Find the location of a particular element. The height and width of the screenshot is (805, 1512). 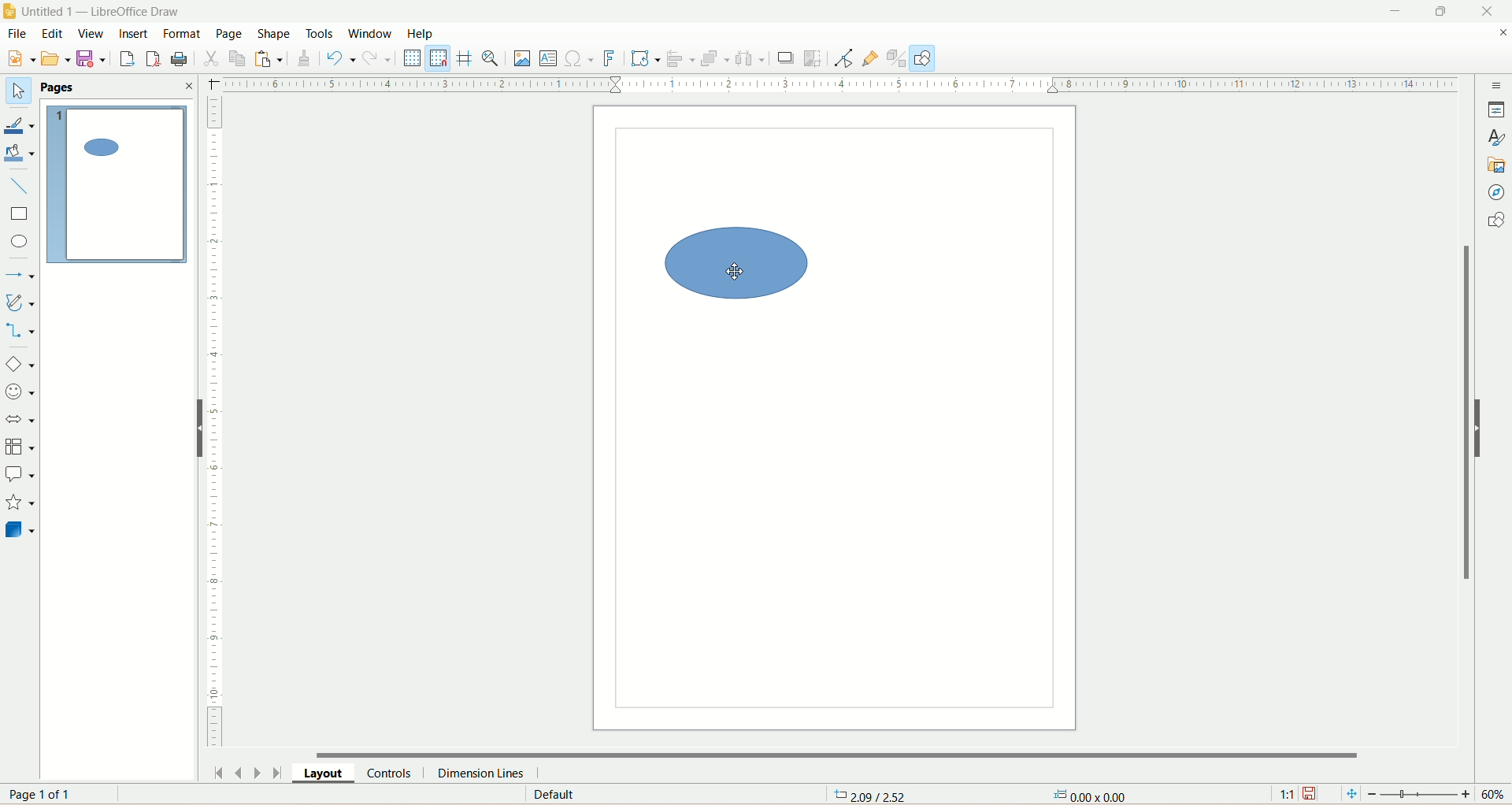

close is located at coordinates (188, 87).